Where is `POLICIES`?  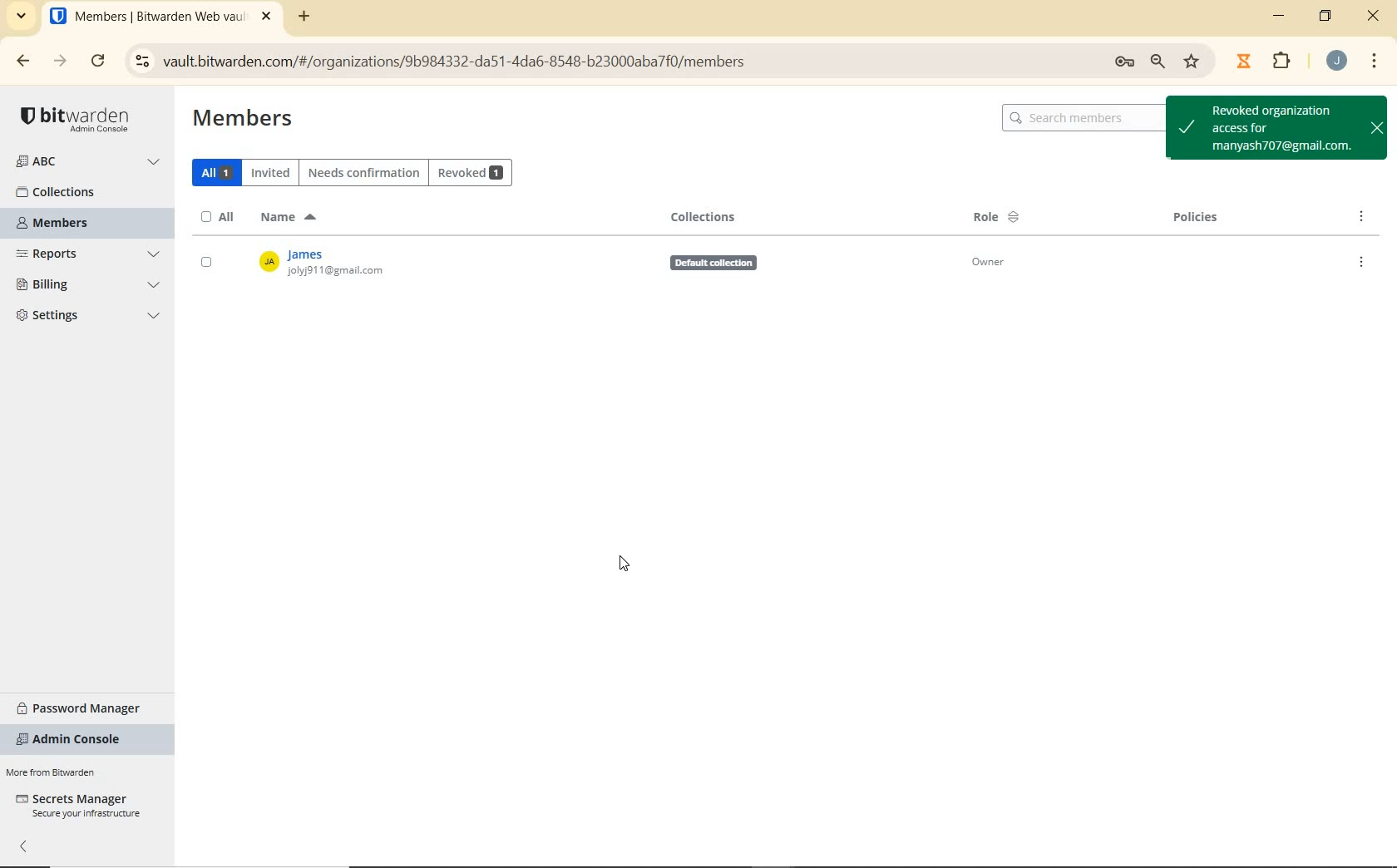 POLICIES is located at coordinates (1367, 219).